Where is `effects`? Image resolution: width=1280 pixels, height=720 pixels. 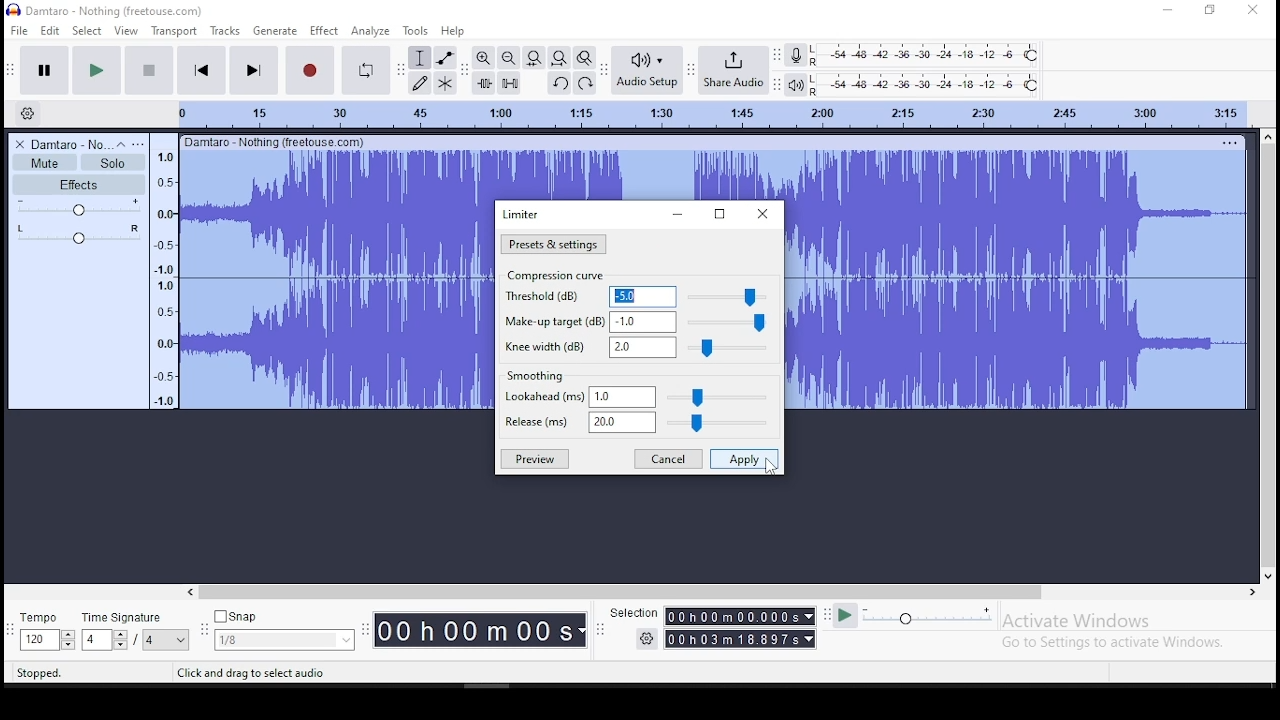
effects is located at coordinates (81, 184).